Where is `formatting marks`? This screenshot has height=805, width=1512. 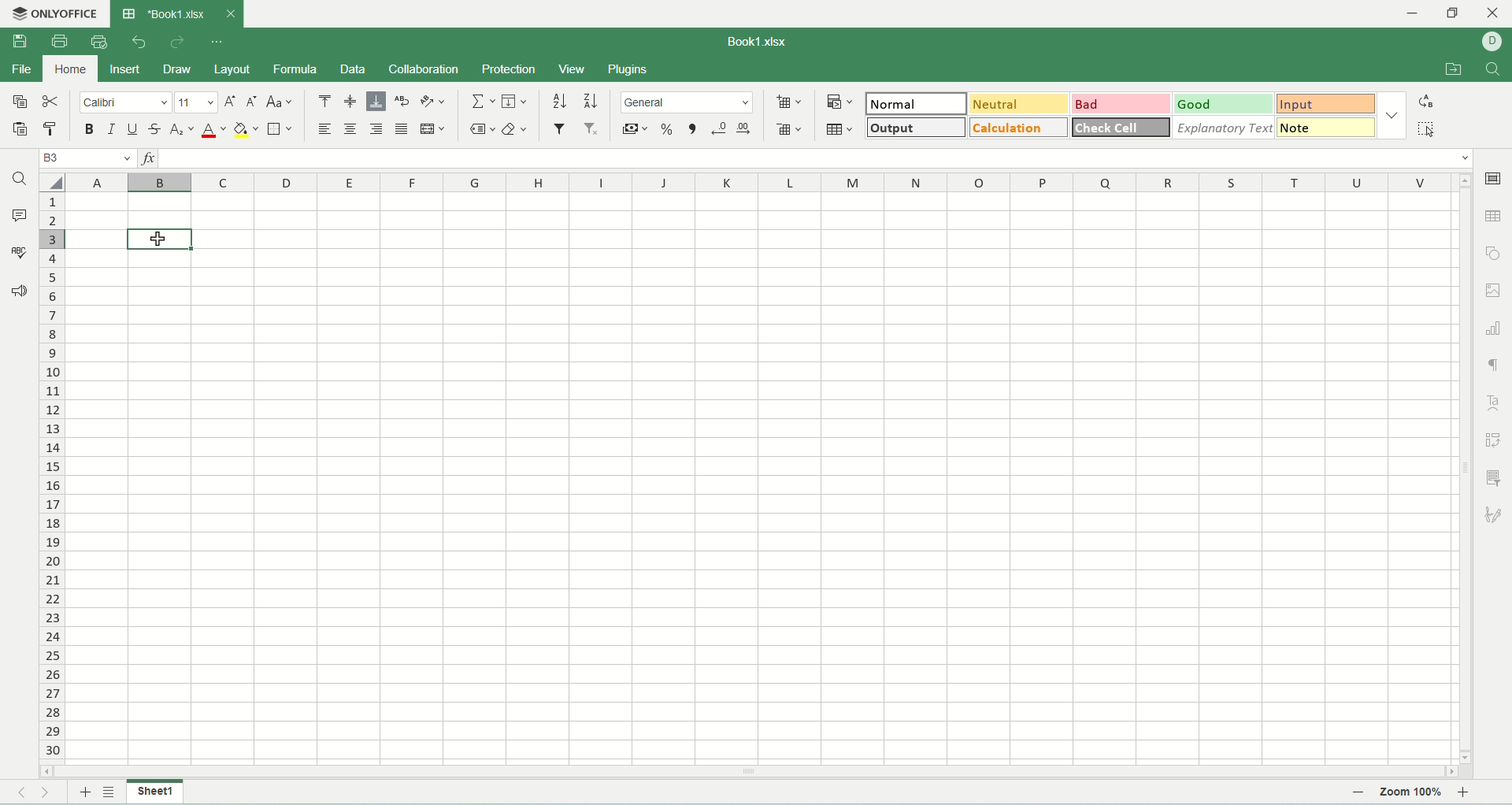
formatting marks is located at coordinates (1492, 365).